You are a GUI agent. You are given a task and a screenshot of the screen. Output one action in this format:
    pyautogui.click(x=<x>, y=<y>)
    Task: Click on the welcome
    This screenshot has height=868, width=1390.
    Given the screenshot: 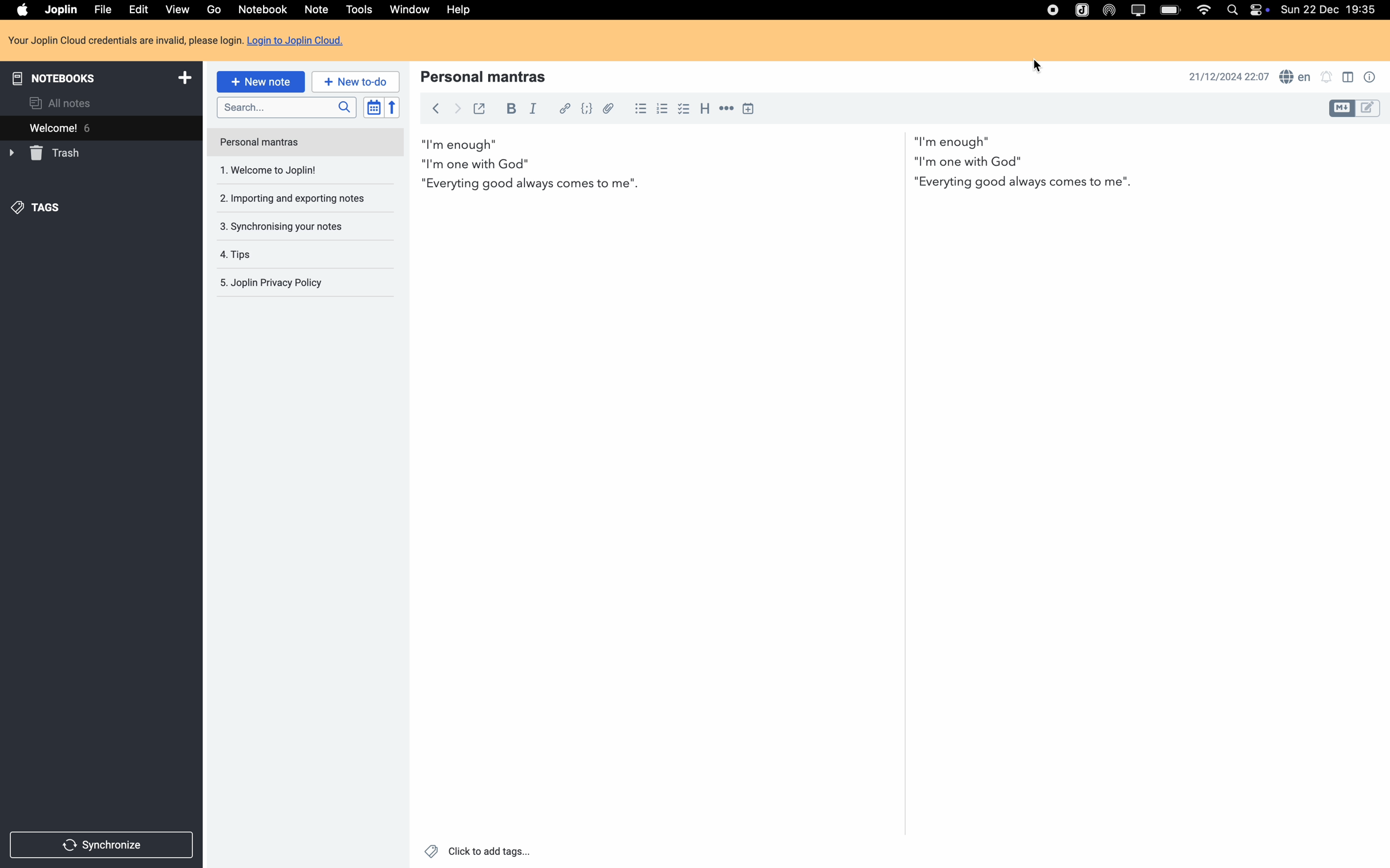 What is the action you would take?
    pyautogui.click(x=99, y=129)
    